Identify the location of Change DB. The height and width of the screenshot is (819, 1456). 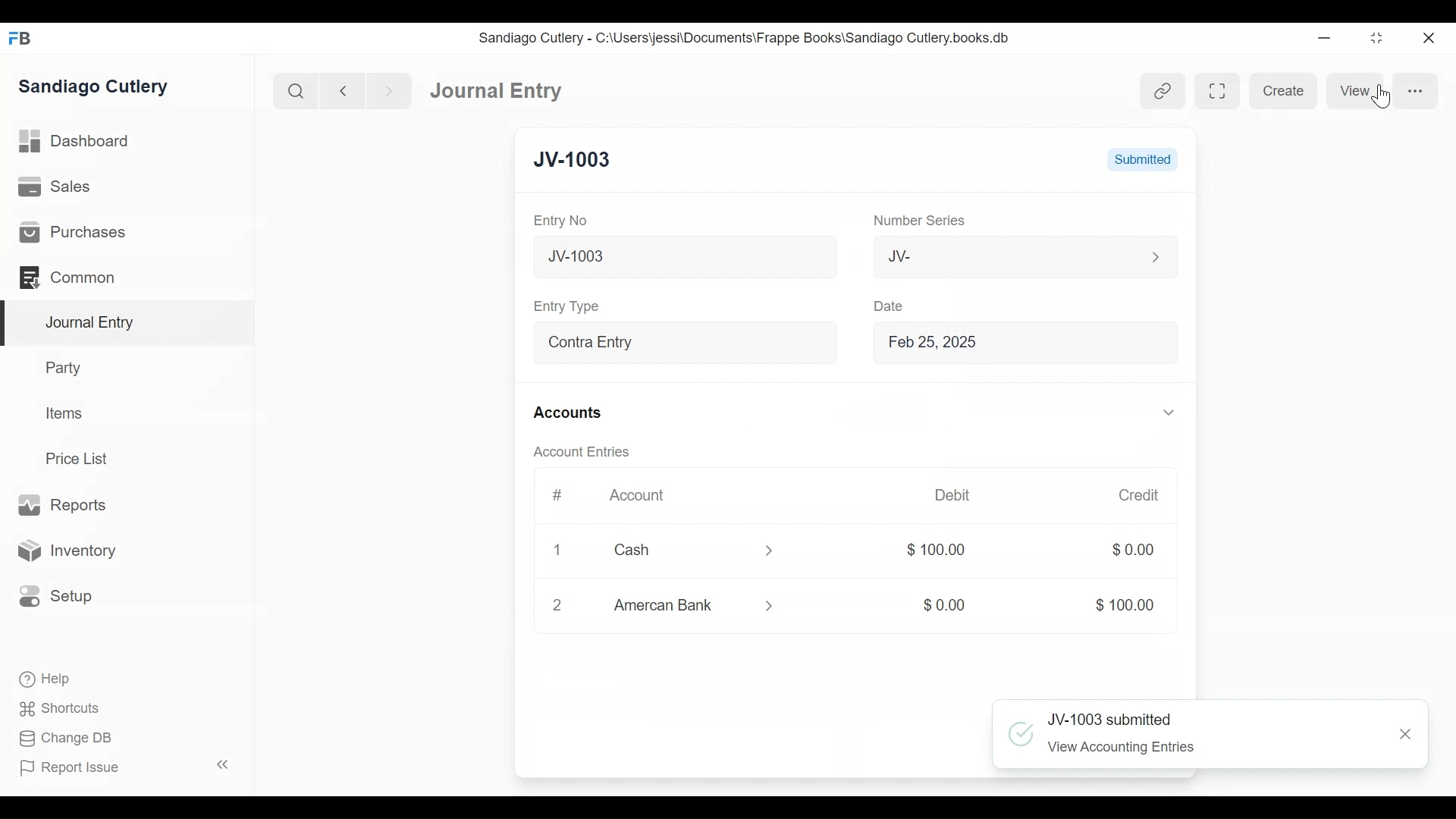
(61, 738).